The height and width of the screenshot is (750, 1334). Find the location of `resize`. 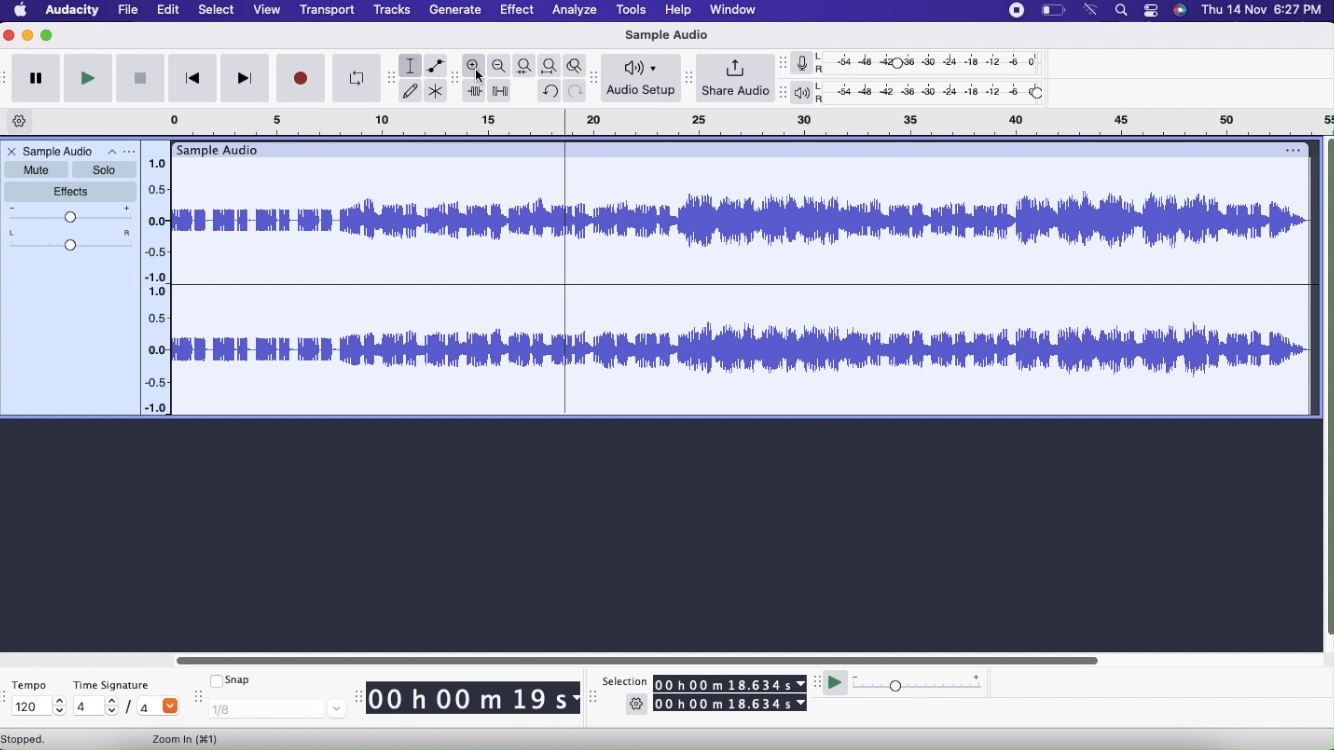

resize is located at coordinates (782, 64).